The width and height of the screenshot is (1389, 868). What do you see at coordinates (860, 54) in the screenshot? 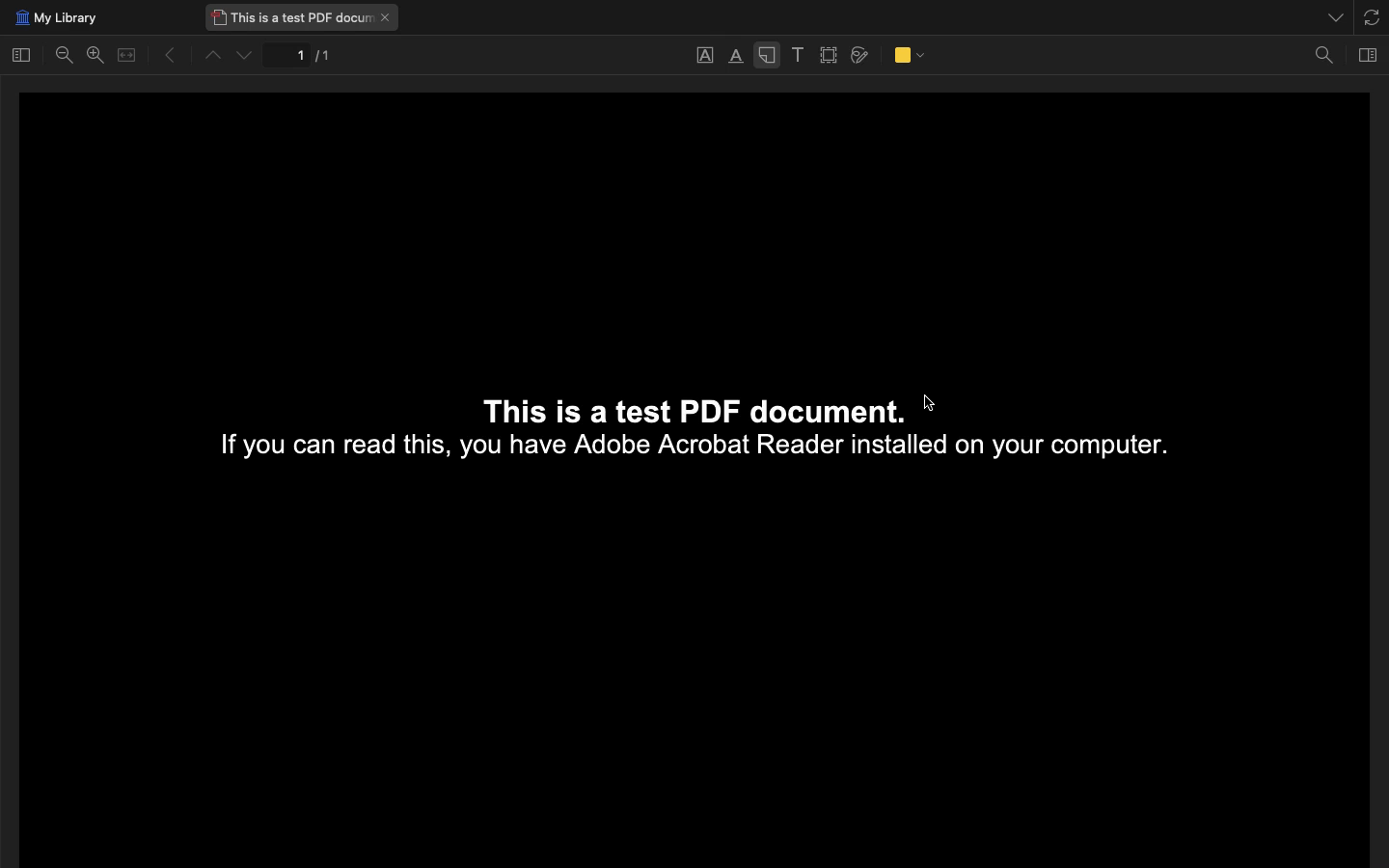
I see `Draw` at bounding box center [860, 54].